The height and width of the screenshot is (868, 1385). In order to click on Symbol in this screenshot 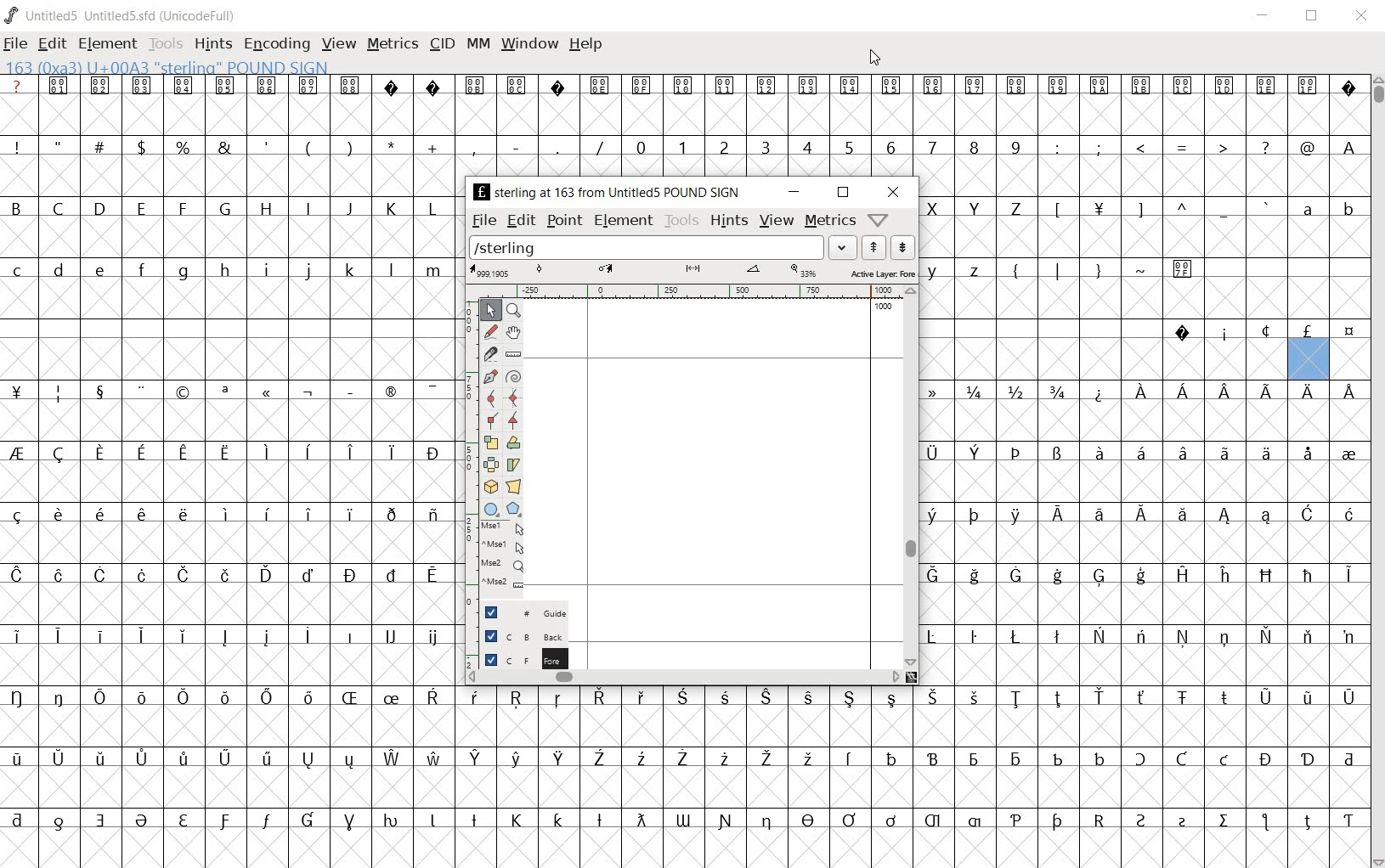, I will do `click(390, 453)`.